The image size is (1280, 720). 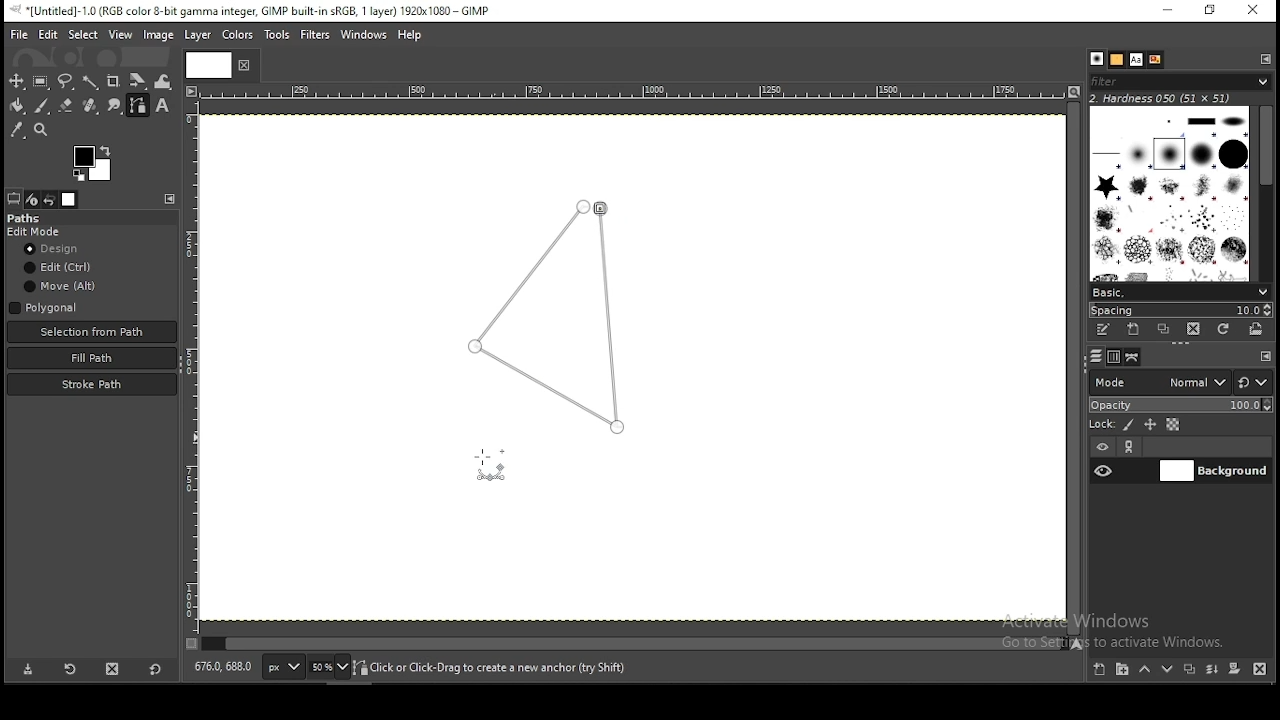 I want to click on brush presets, so click(x=1180, y=291).